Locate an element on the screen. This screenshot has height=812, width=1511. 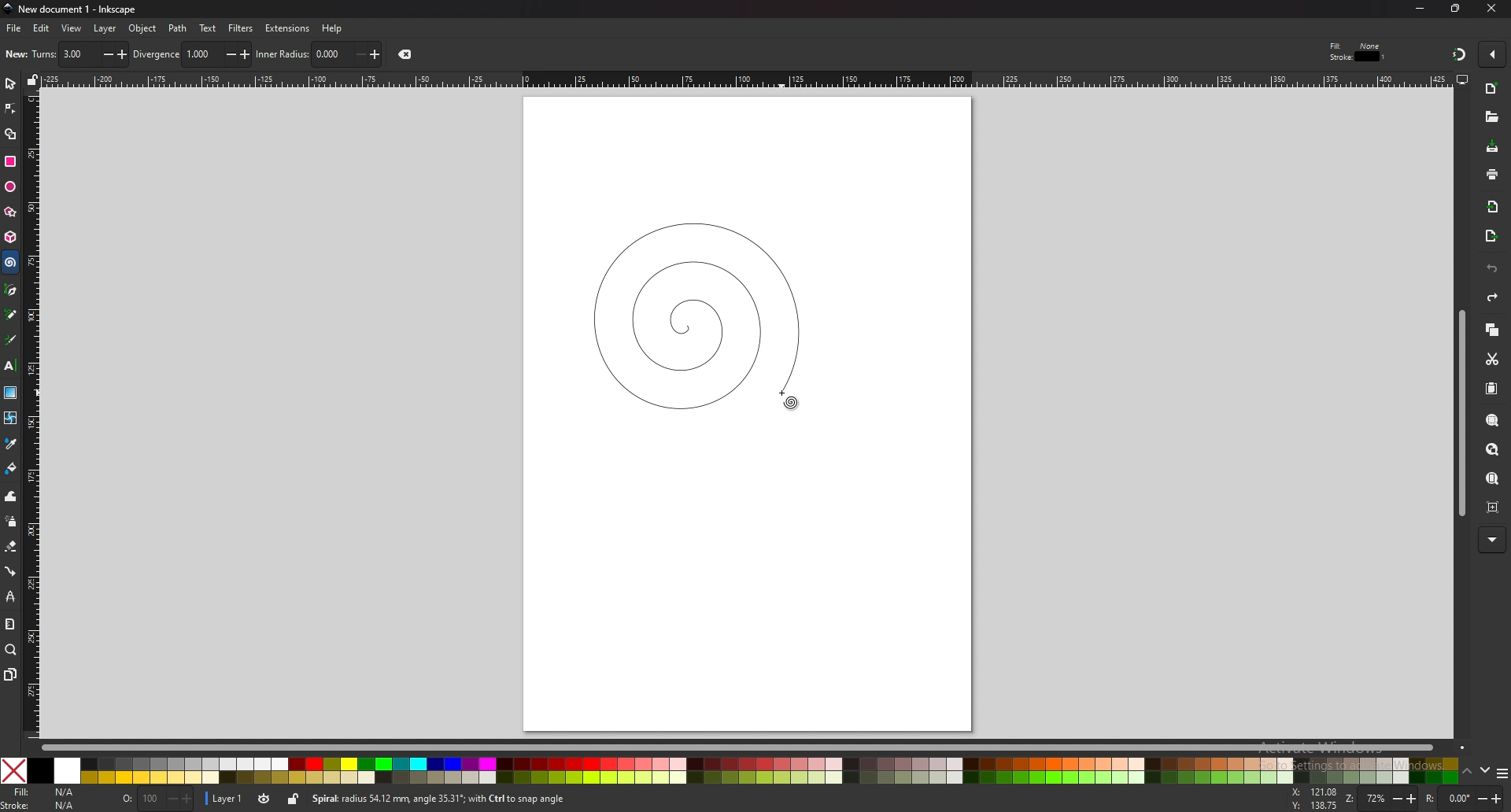
extensions is located at coordinates (289, 28).